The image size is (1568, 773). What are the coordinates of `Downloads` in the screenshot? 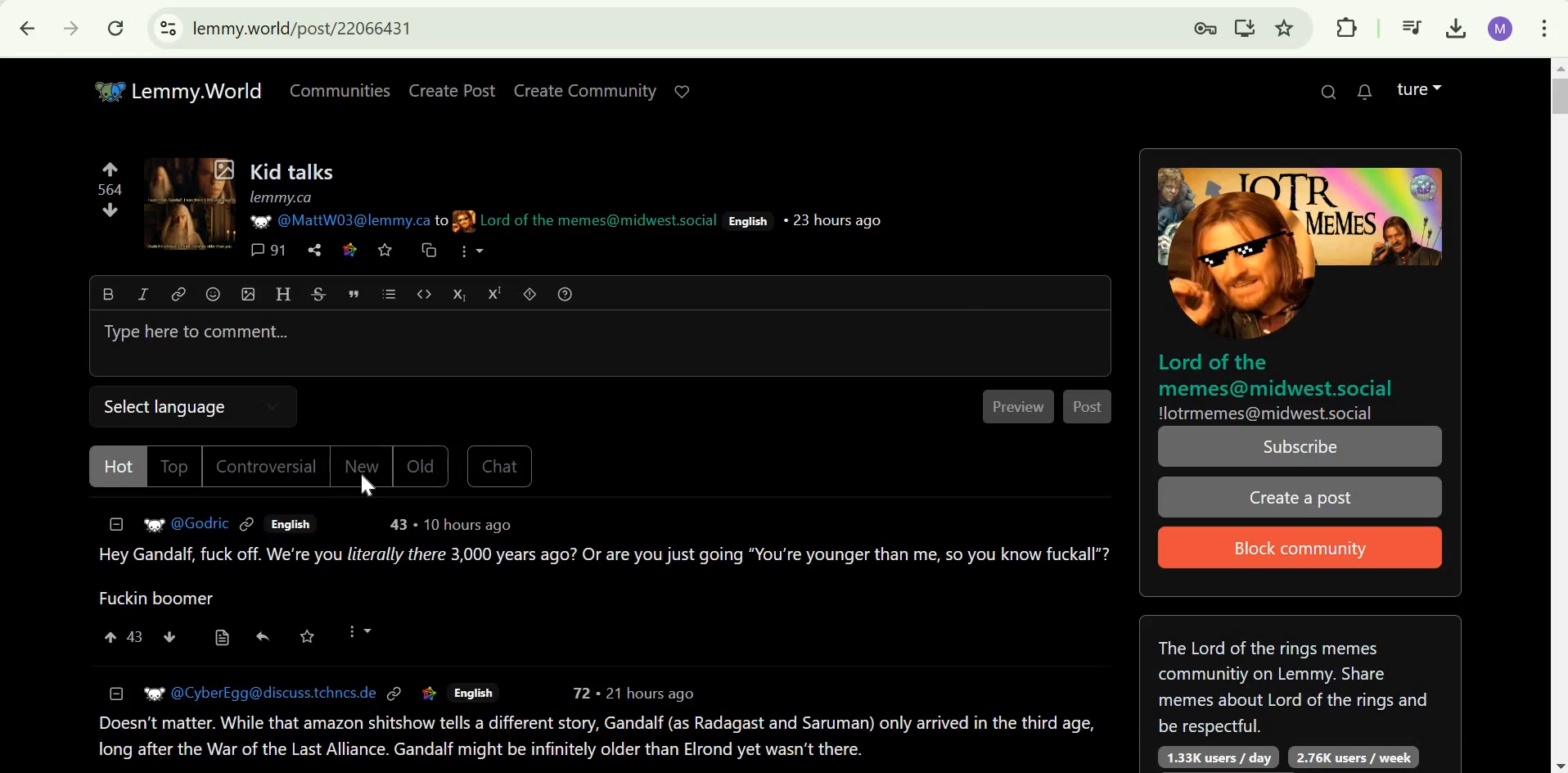 It's located at (1457, 26).